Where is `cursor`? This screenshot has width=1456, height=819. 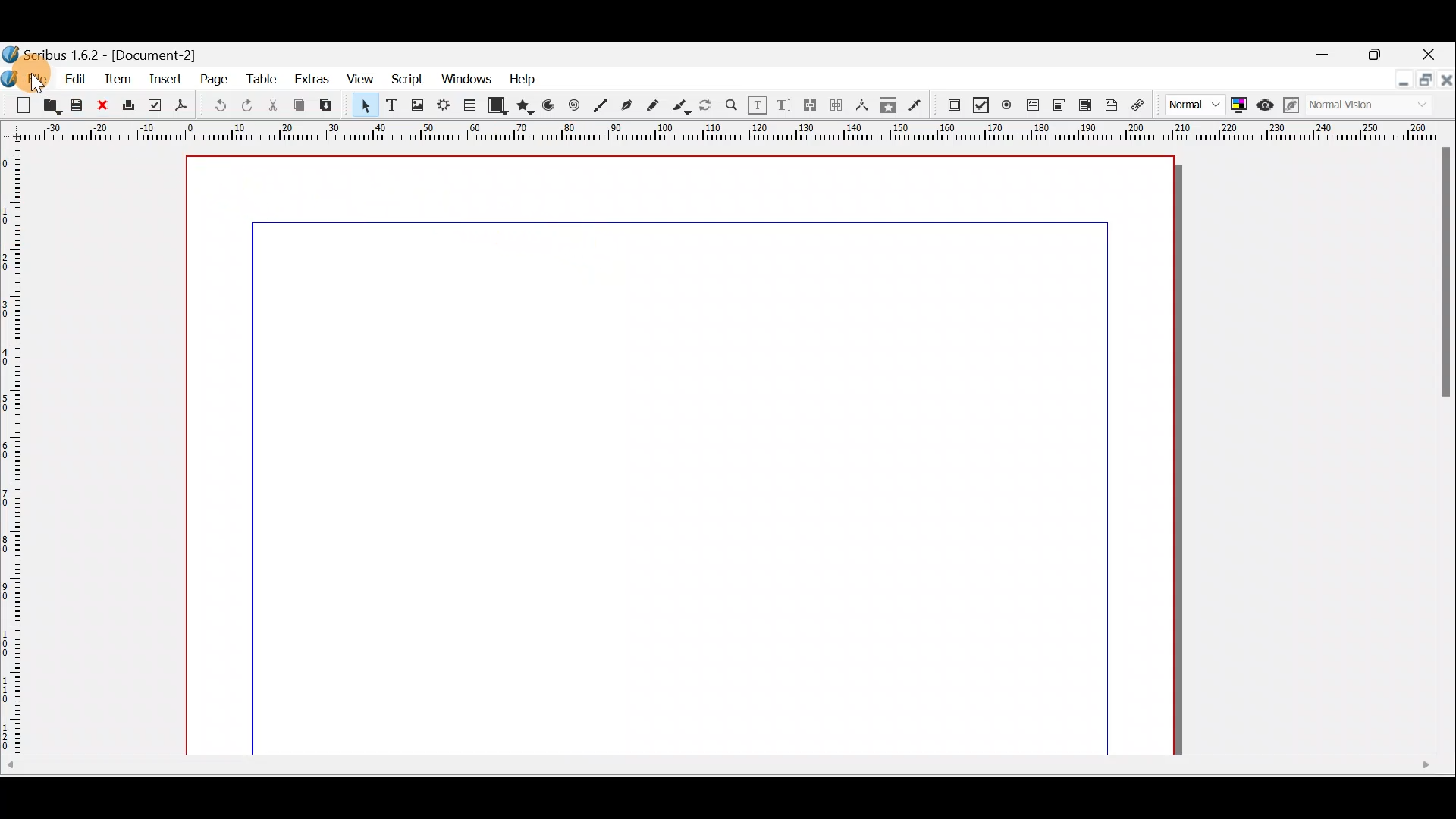
cursor is located at coordinates (39, 84).